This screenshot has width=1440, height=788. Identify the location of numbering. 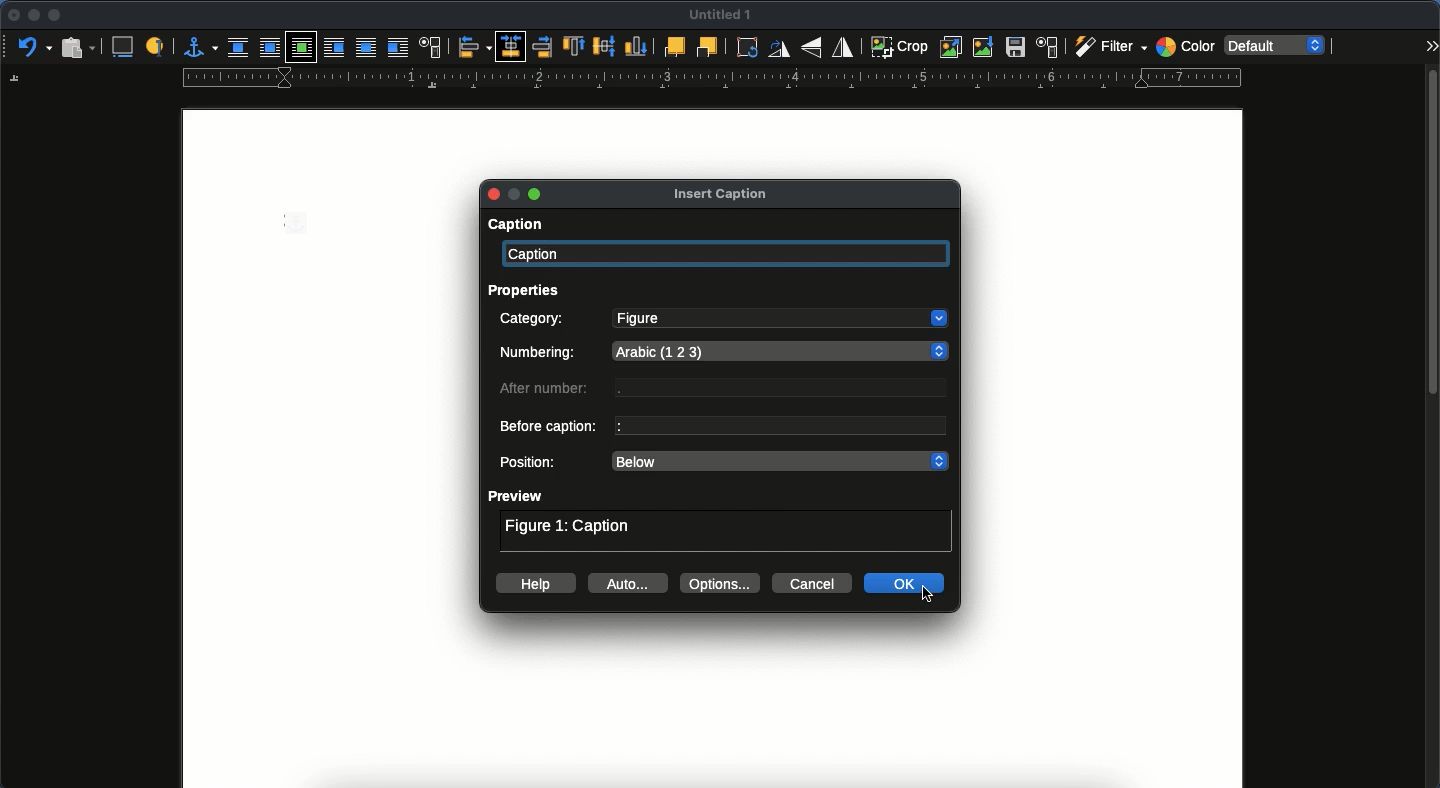
(541, 355).